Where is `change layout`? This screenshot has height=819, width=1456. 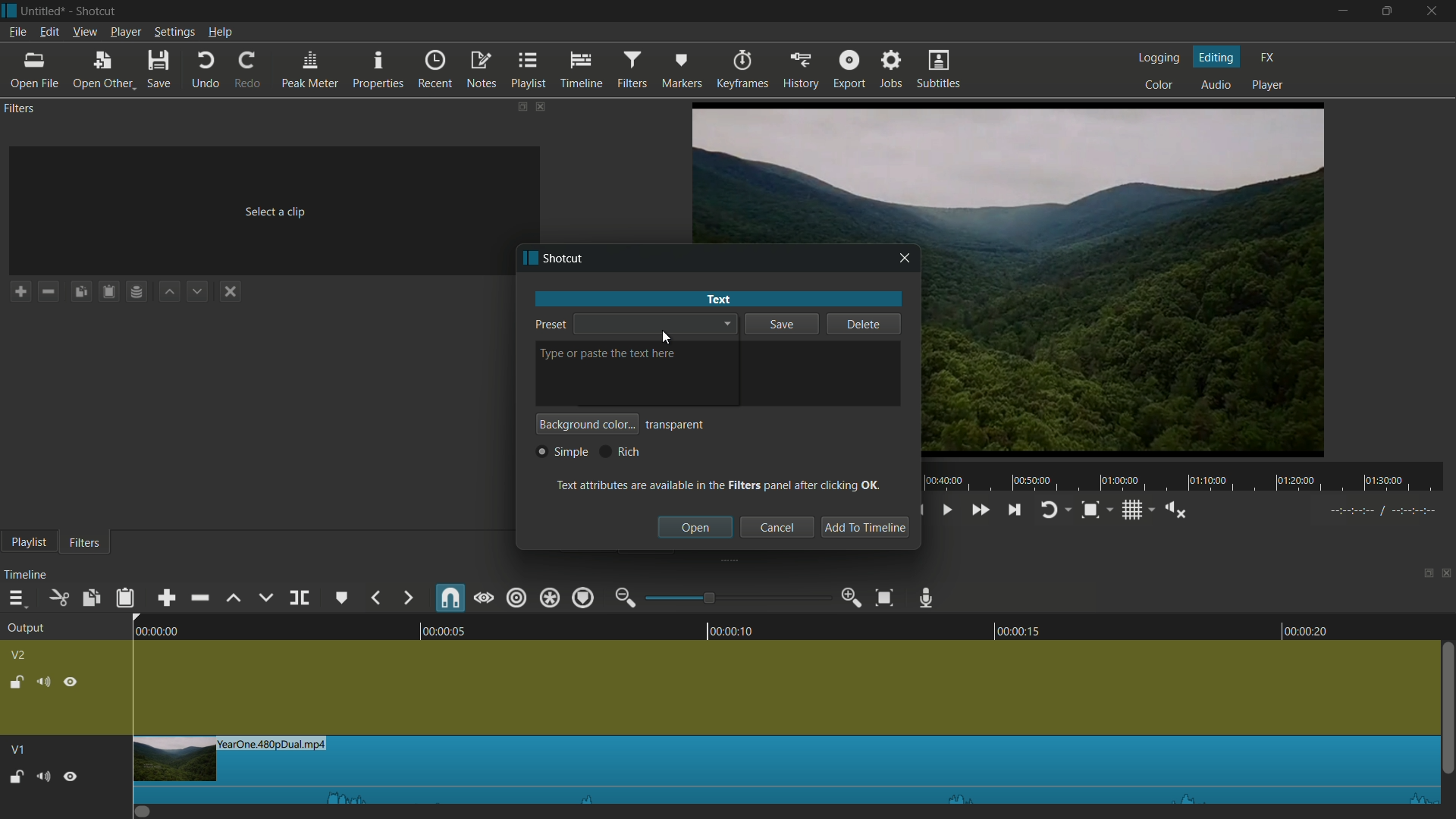 change layout is located at coordinates (1423, 576).